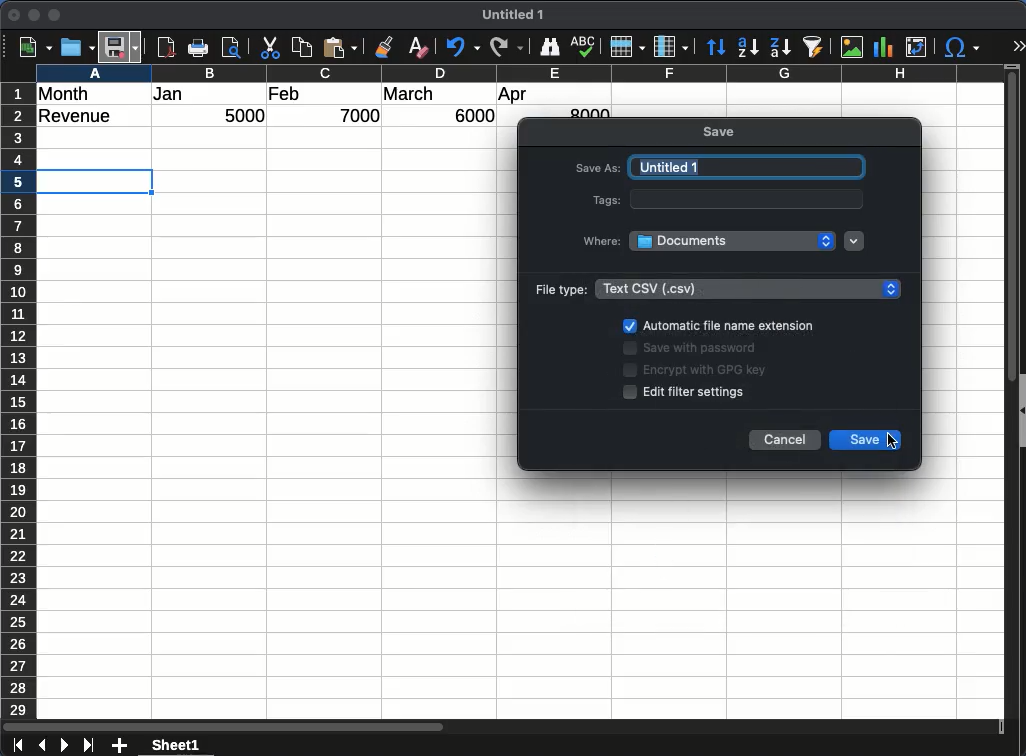  What do you see at coordinates (1018, 46) in the screenshot?
I see `expand` at bounding box center [1018, 46].